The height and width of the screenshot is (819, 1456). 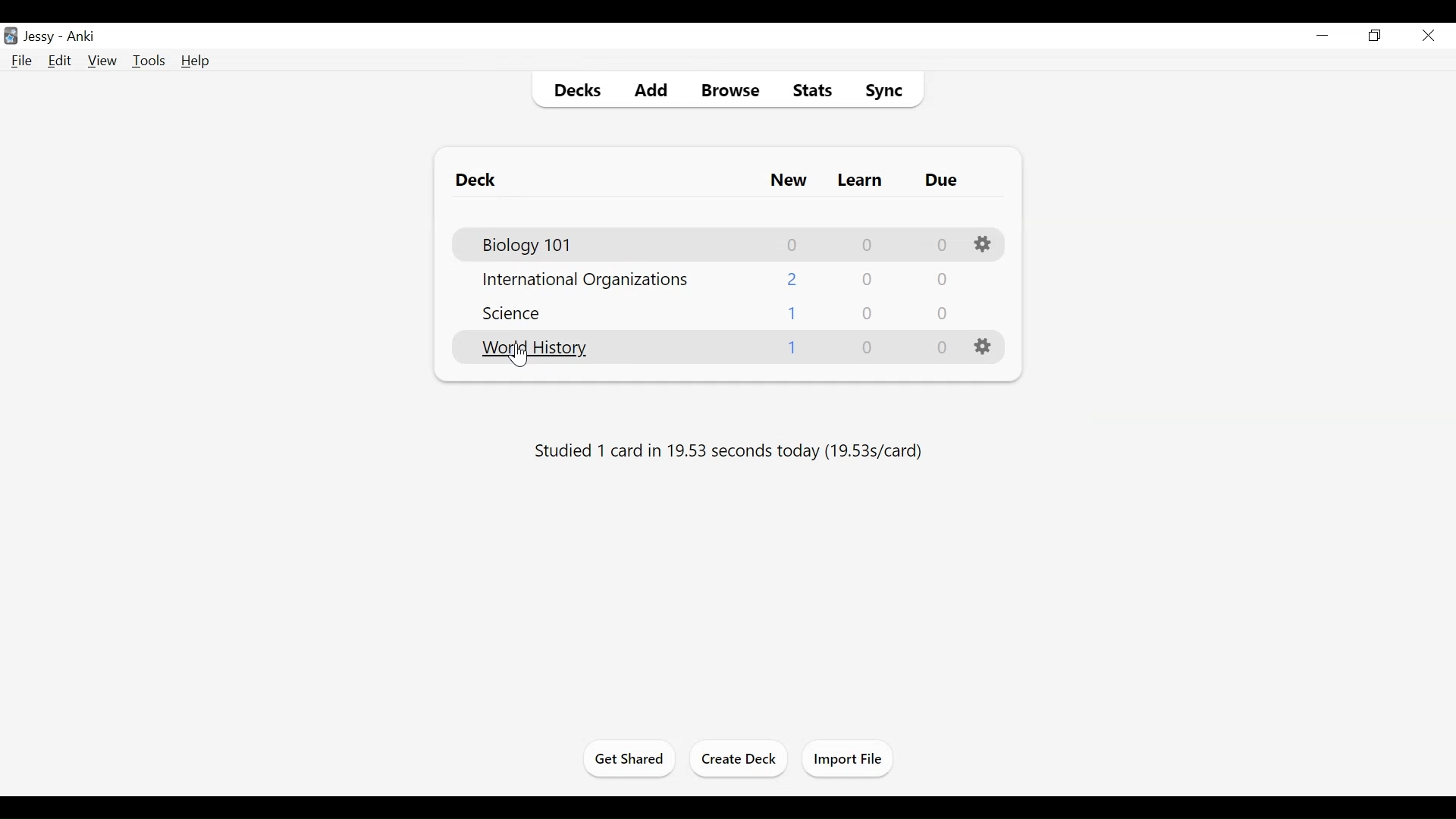 I want to click on Deck, so click(x=475, y=180).